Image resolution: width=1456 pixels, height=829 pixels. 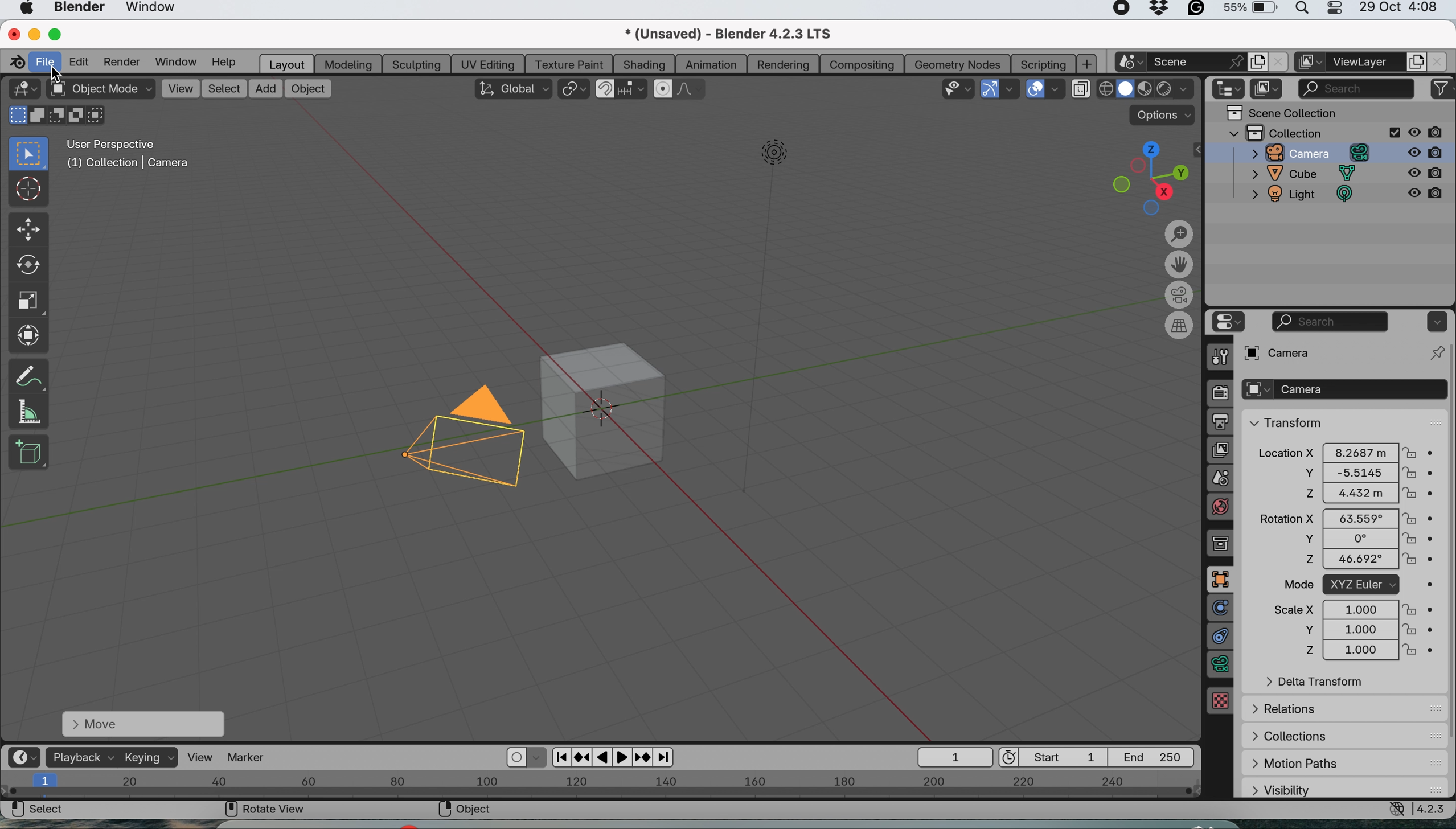 What do you see at coordinates (1164, 115) in the screenshot?
I see `options` at bounding box center [1164, 115].